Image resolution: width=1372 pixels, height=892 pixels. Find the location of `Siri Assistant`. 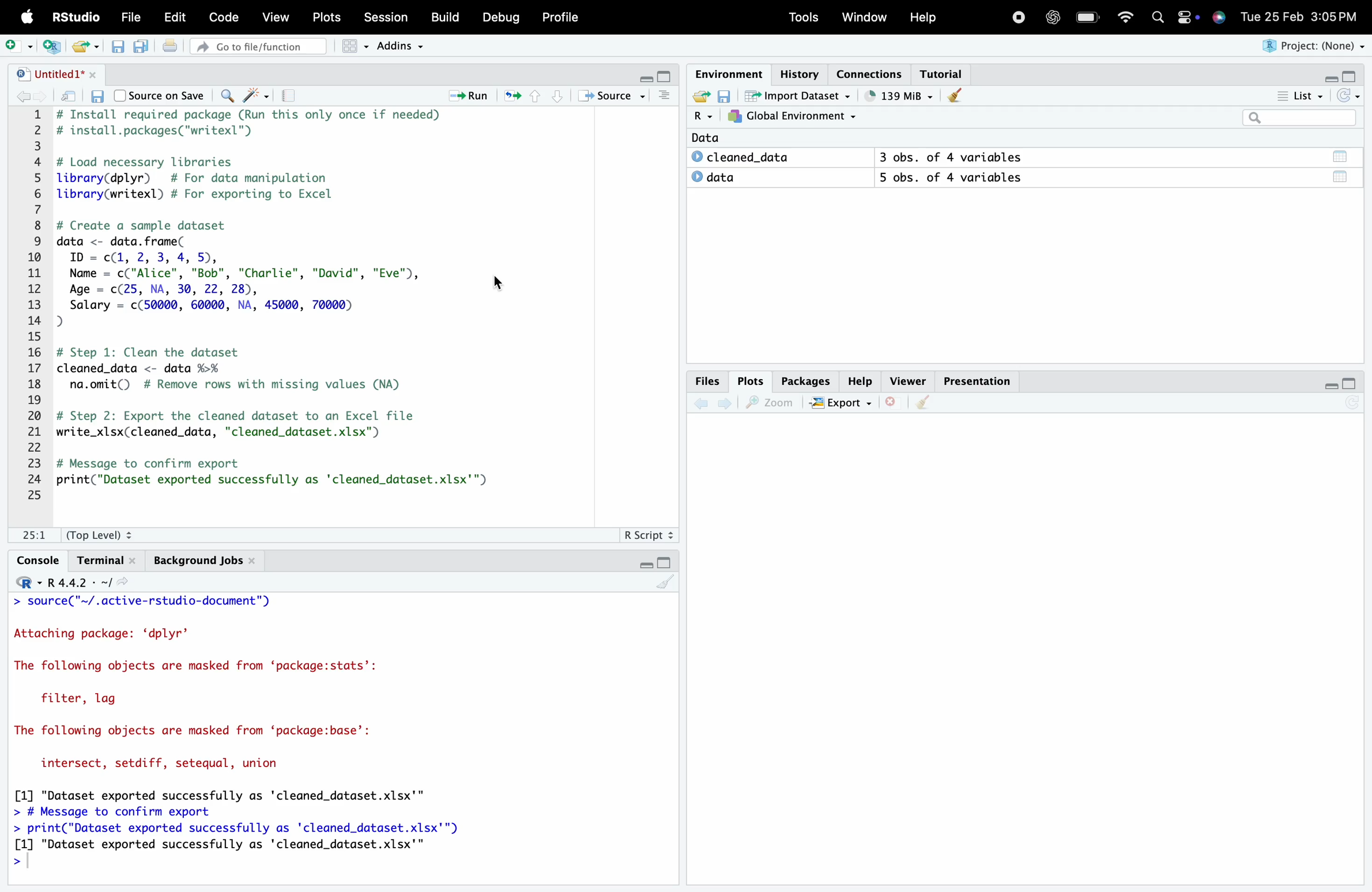

Siri Assistant is located at coordinates (1218, 19).